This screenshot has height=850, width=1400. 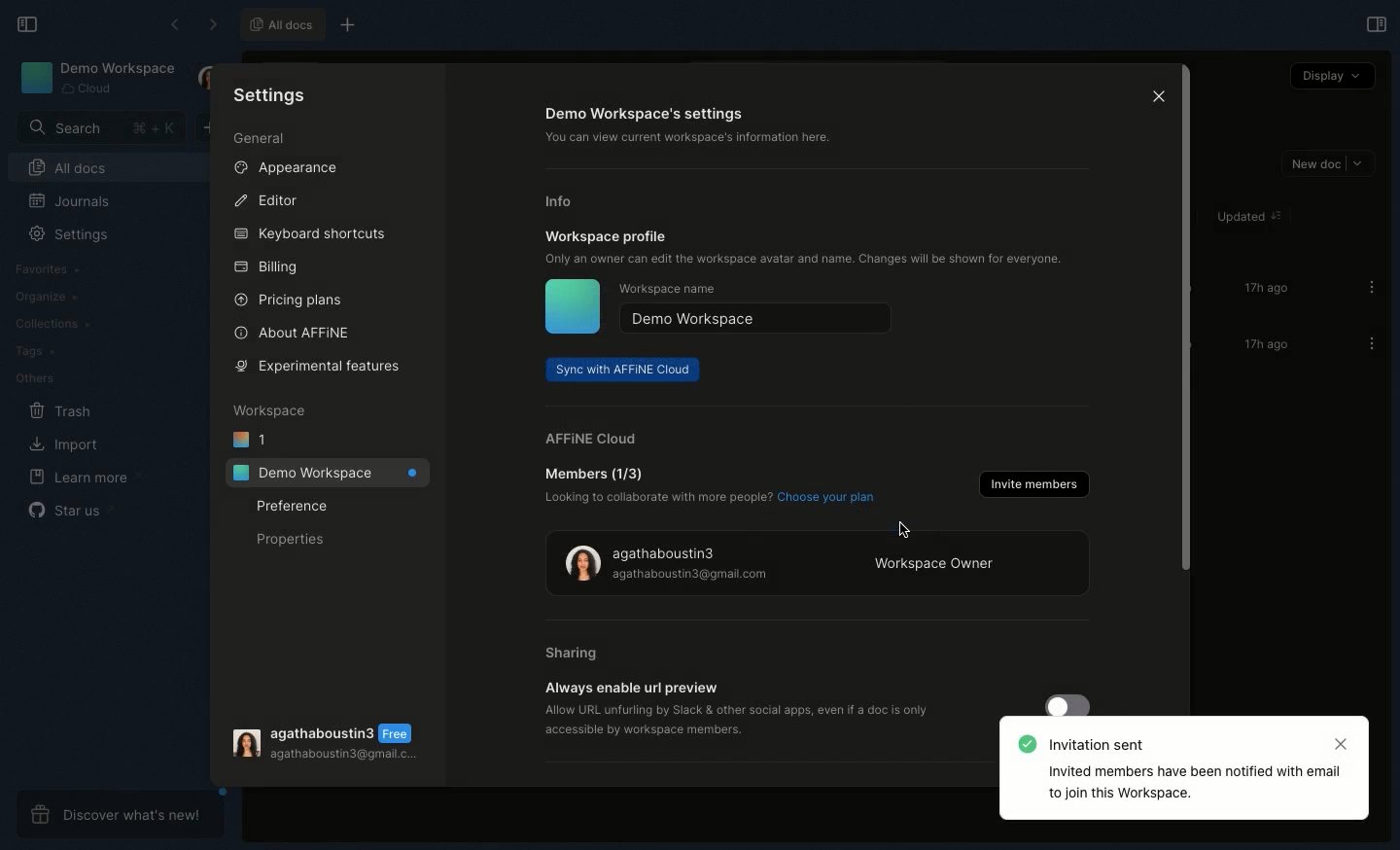 I want to click on Others, so click(x=33, y=377).